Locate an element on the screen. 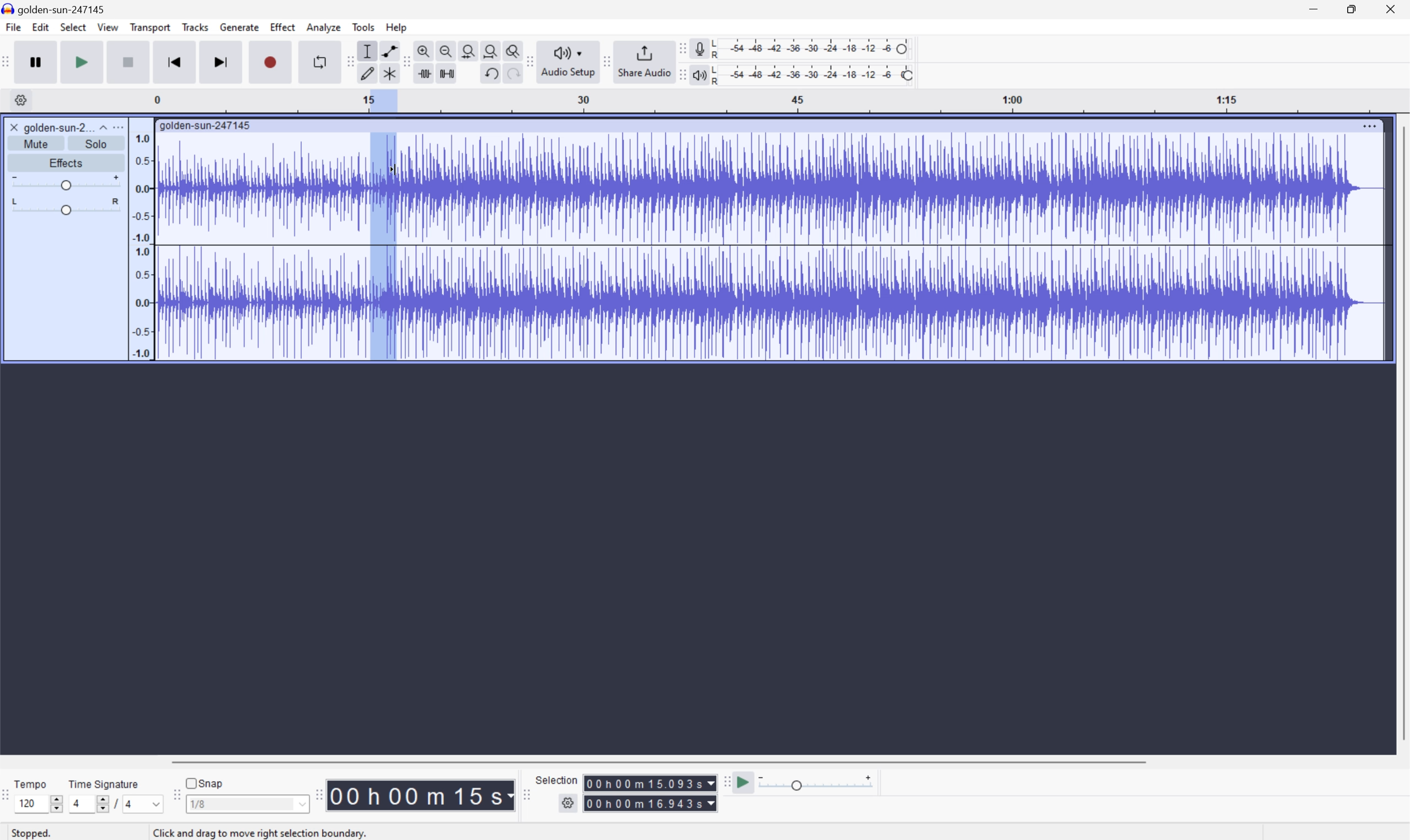 The width and height of the screenshot is (1410, 840). Solo is located at coordinates (98, 144).